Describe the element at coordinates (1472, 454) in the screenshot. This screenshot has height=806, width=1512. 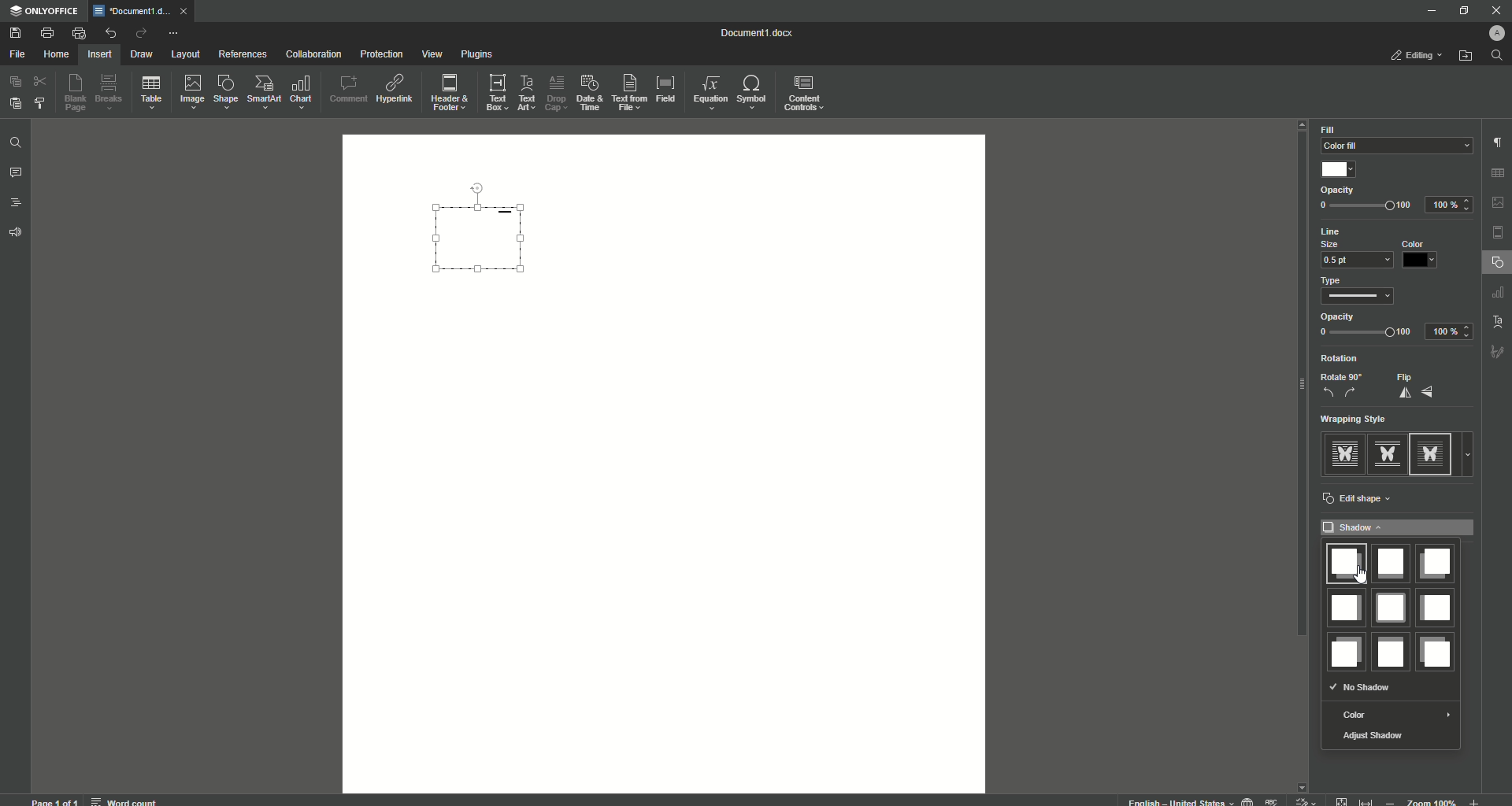
I see `more` at that location.